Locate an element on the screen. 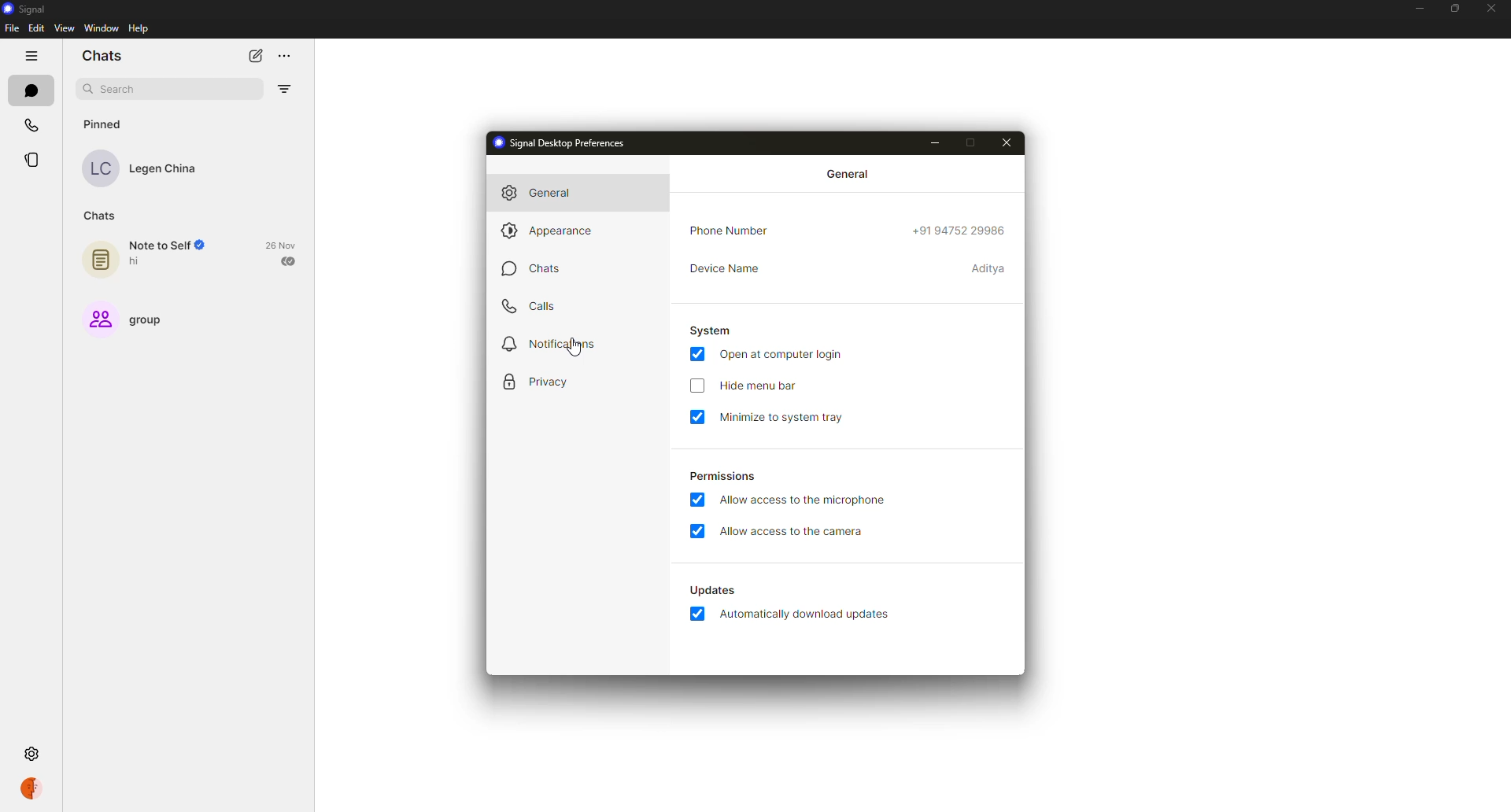  device name is located at coordinates (989, 269).